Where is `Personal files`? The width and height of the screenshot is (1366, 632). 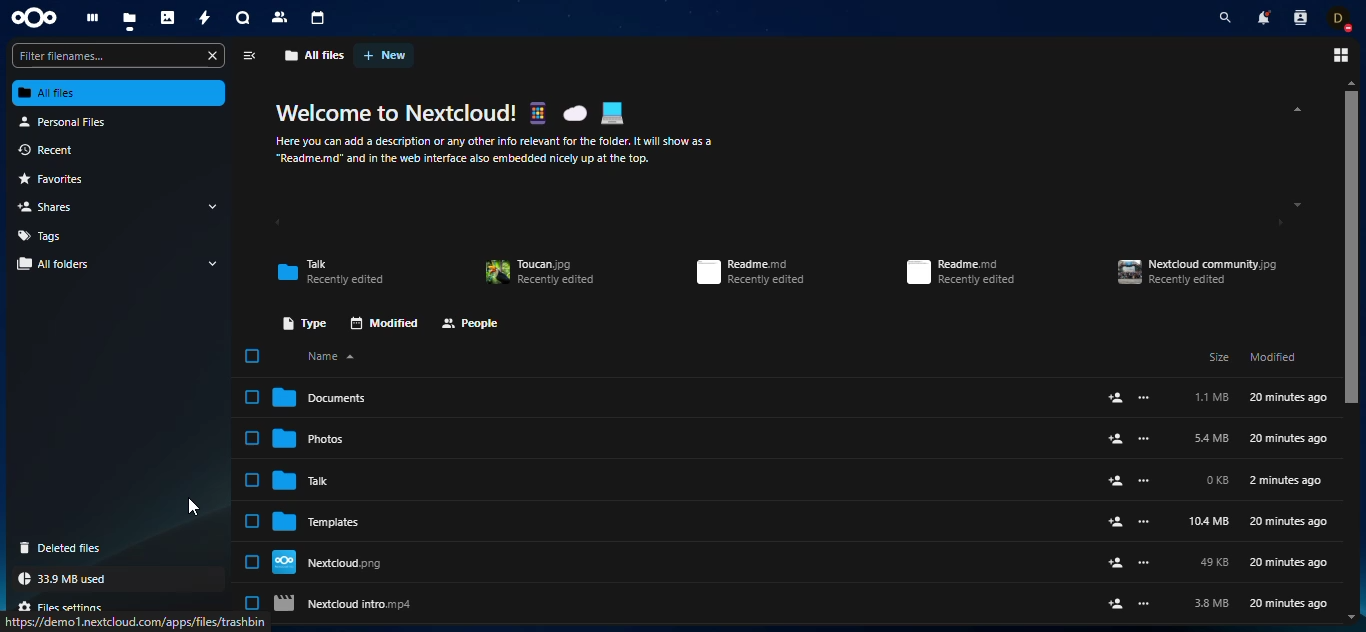 Personal files is located at coordinates (65, 121).